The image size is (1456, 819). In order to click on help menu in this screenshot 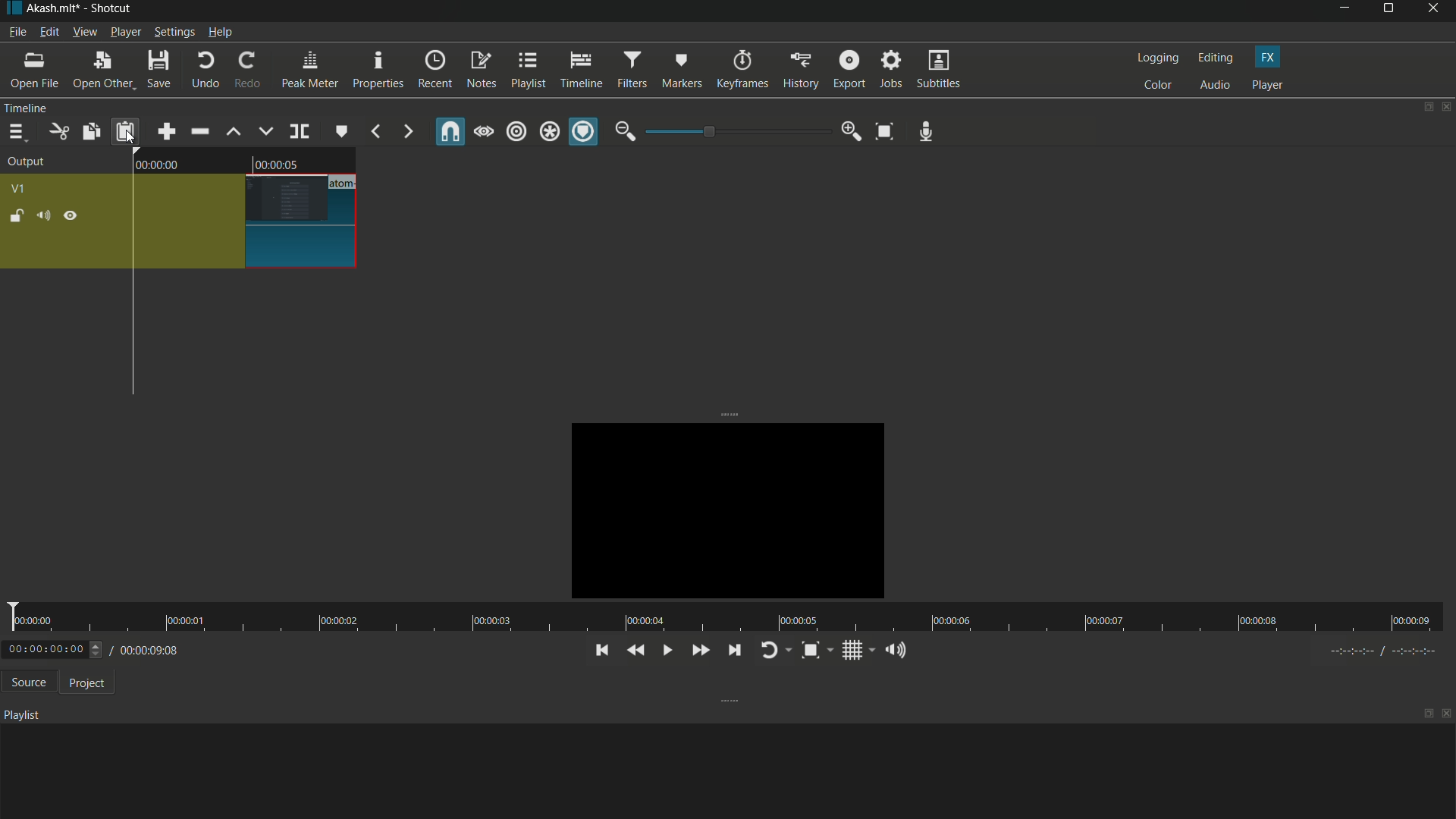, I will do `click(221, 32)`.